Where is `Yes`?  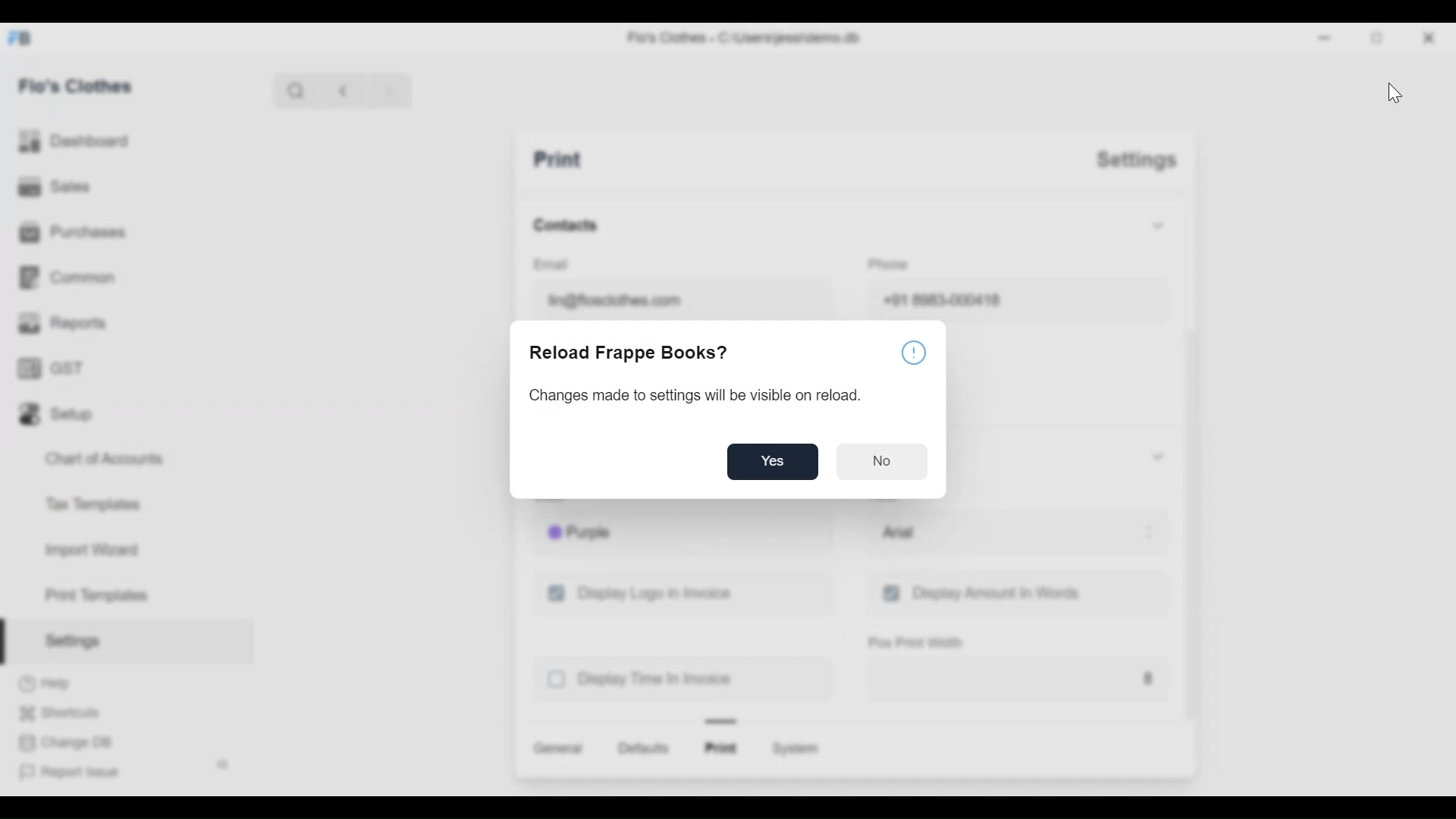
Yes is located at coordinates (772, 463).